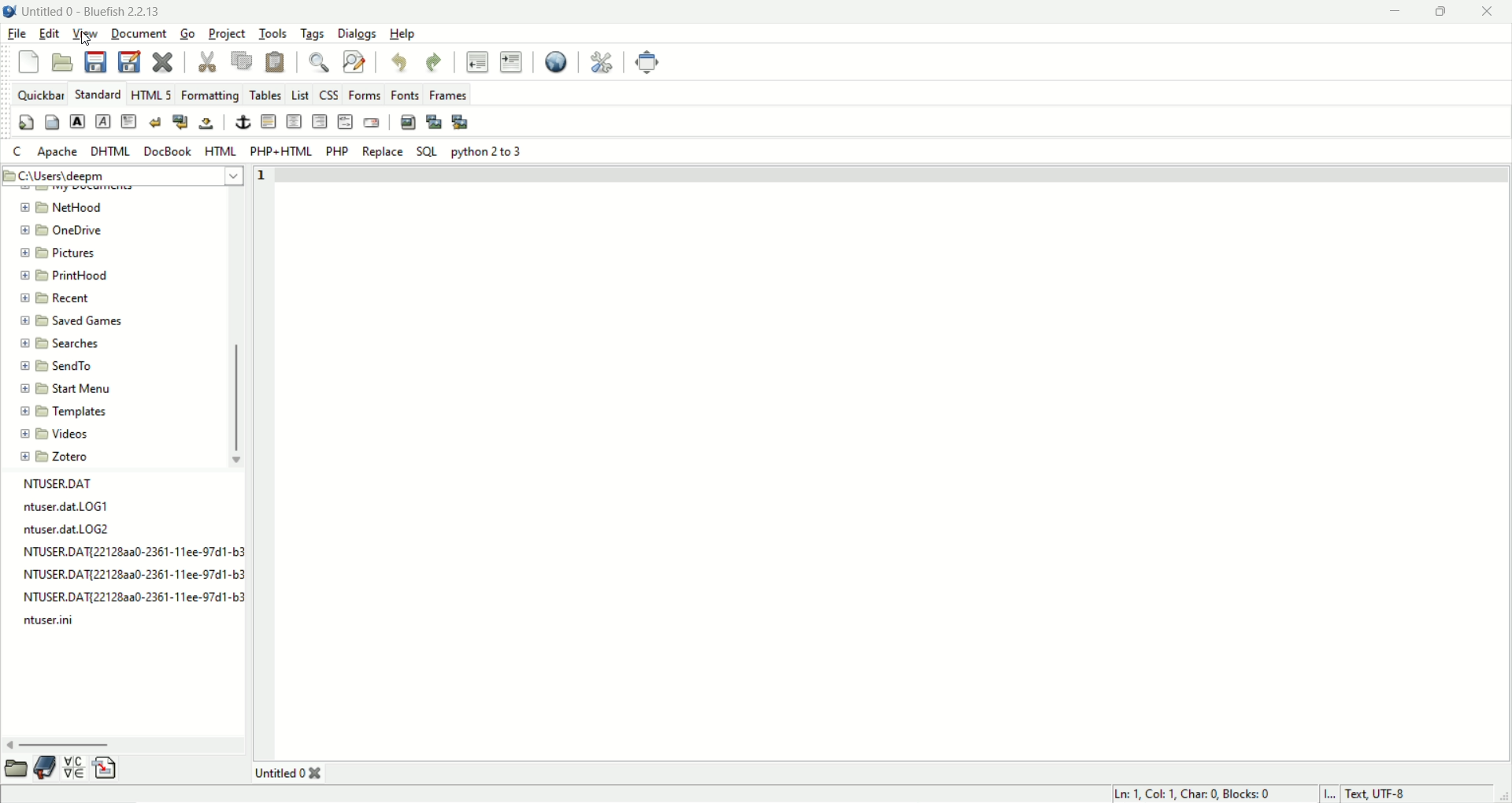 The image size is (1512, 803). I want to click on anchor/hyperlink, so click(240, 123).